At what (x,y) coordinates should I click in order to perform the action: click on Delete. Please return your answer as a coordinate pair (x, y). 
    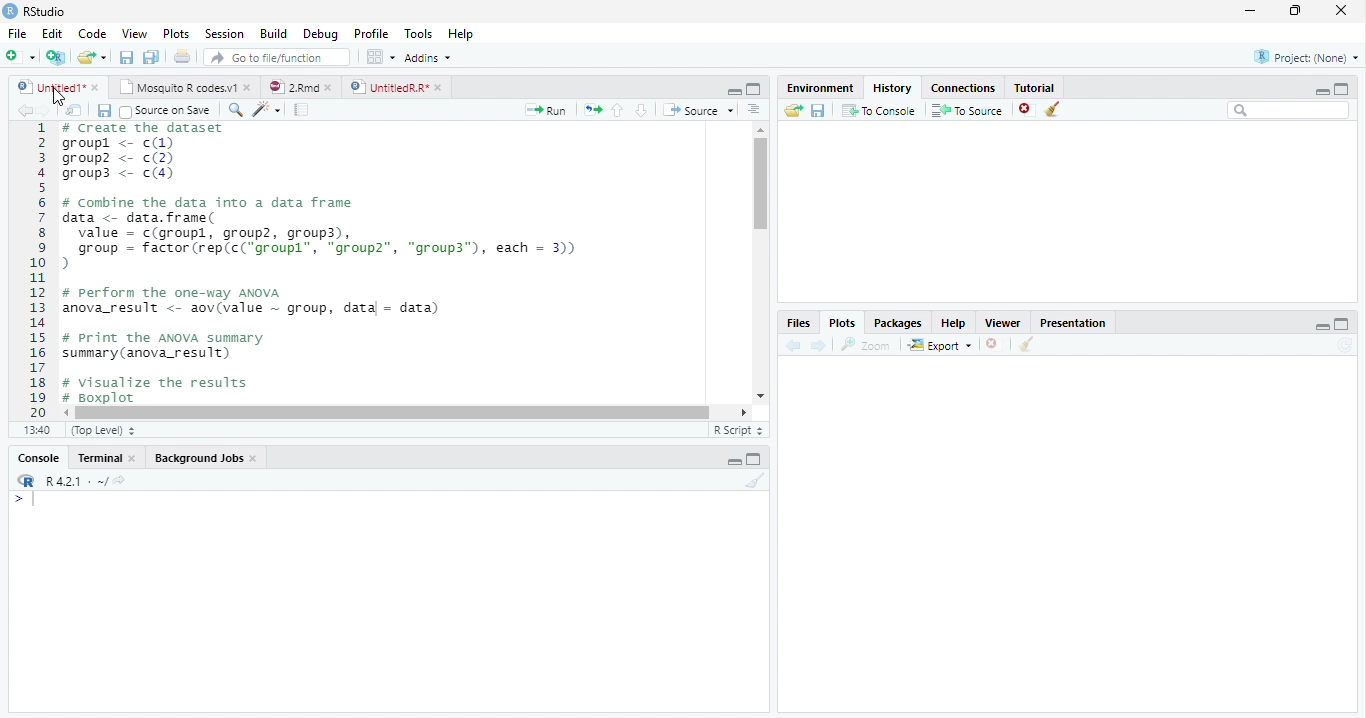
    Looking at the image, I should click on (993, 345).